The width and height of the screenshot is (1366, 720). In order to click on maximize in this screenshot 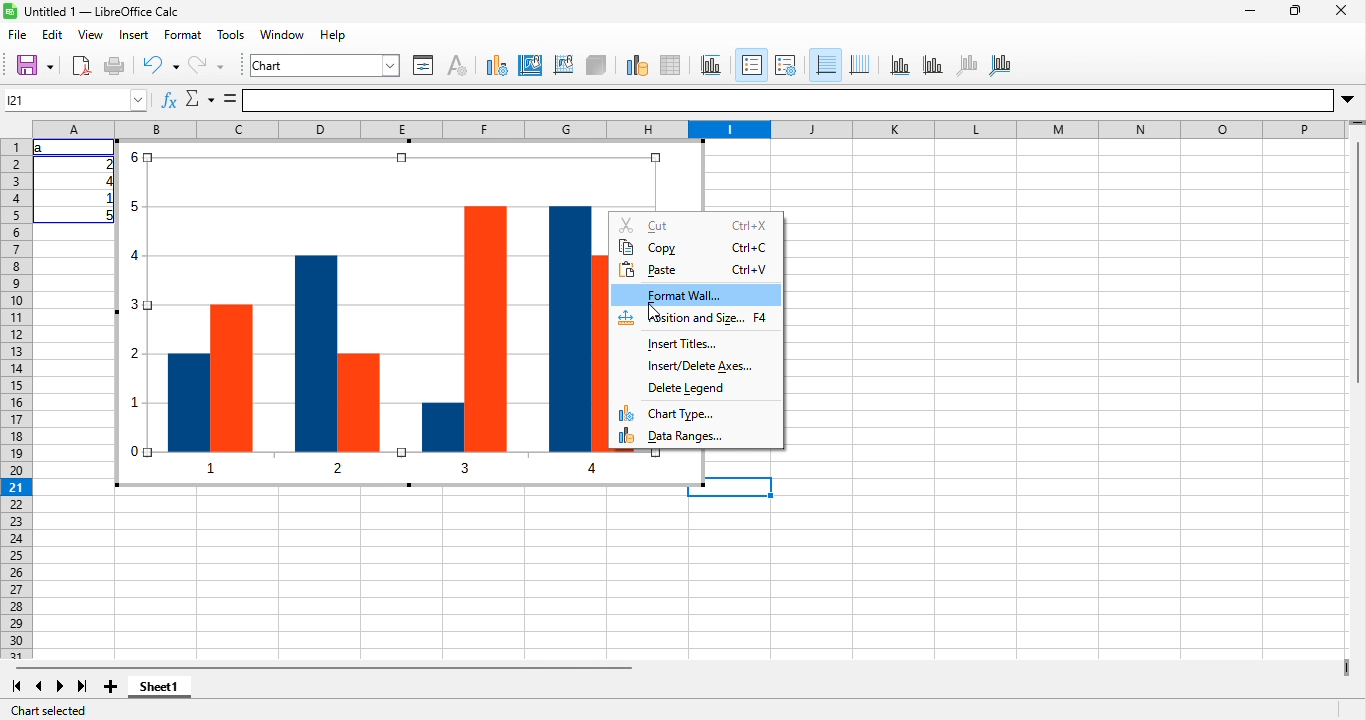, I will do `click(1296, 11)`.